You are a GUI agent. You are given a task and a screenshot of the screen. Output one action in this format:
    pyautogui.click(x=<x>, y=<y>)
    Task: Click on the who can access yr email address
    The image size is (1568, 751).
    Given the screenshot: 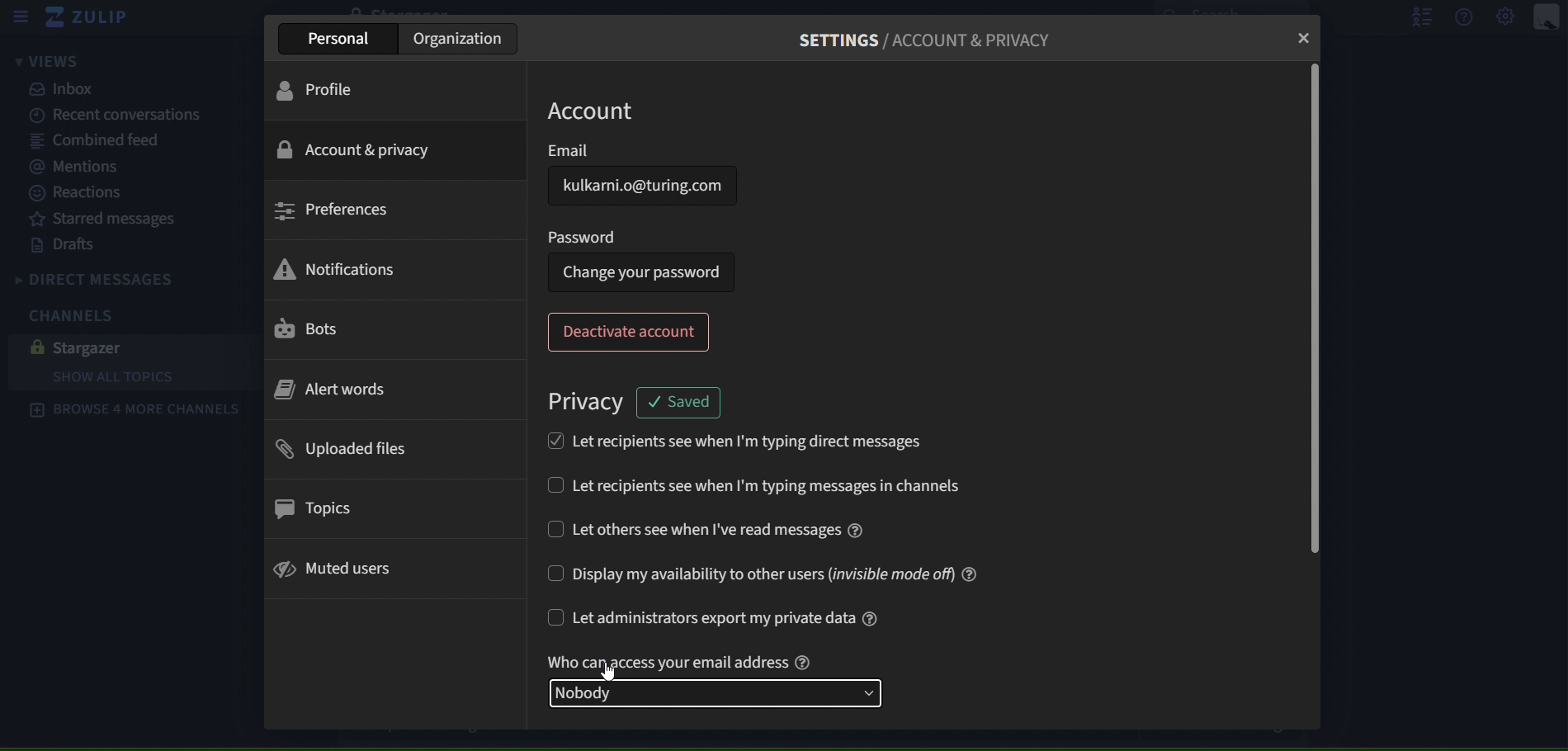 What is the action you would take?
    pyautogui.click(x=684, y=661)
    